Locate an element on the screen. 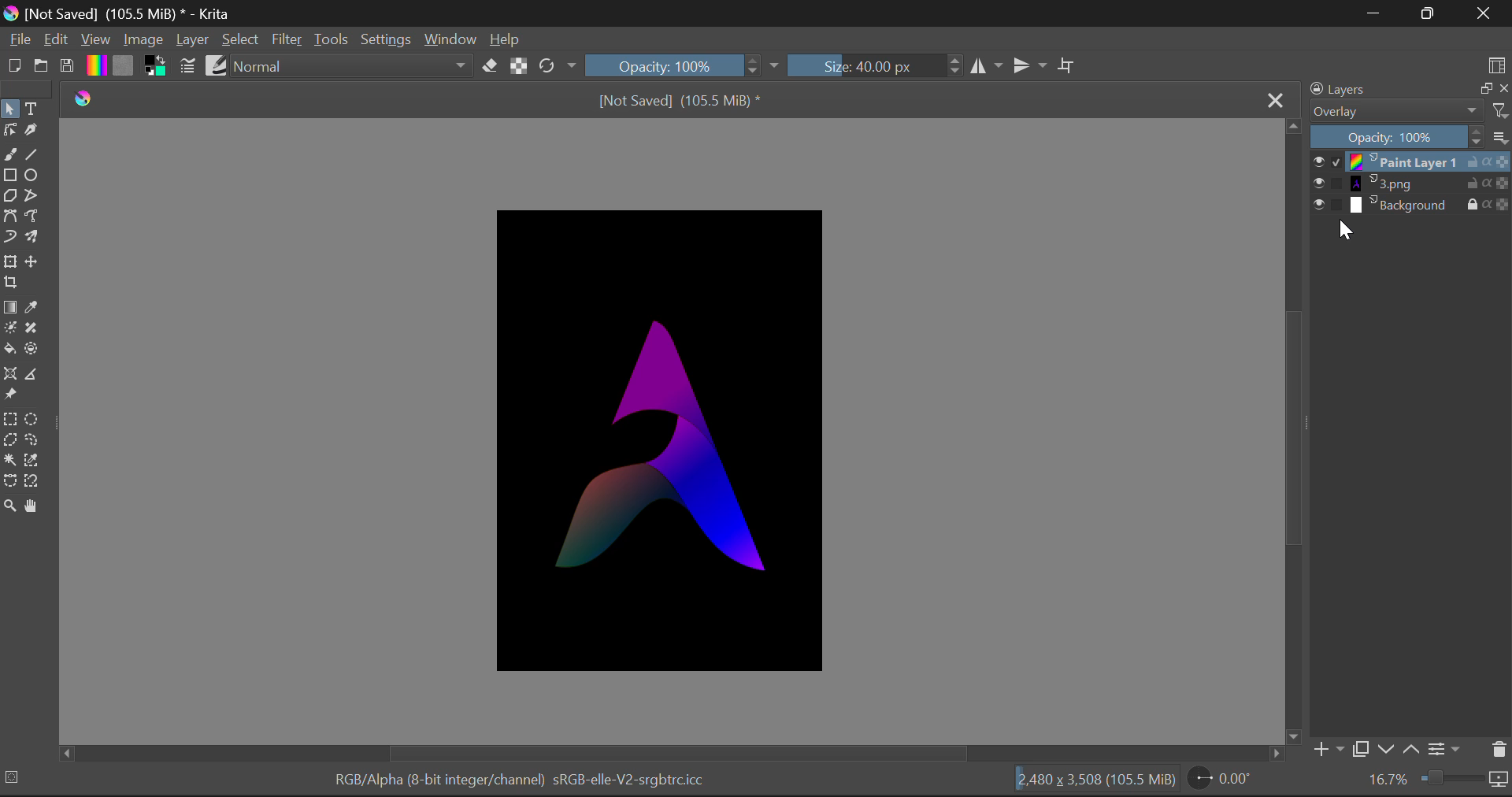 This screenshot has width=1512, height=797. Brush Settings is located at coordinates (189, 65).